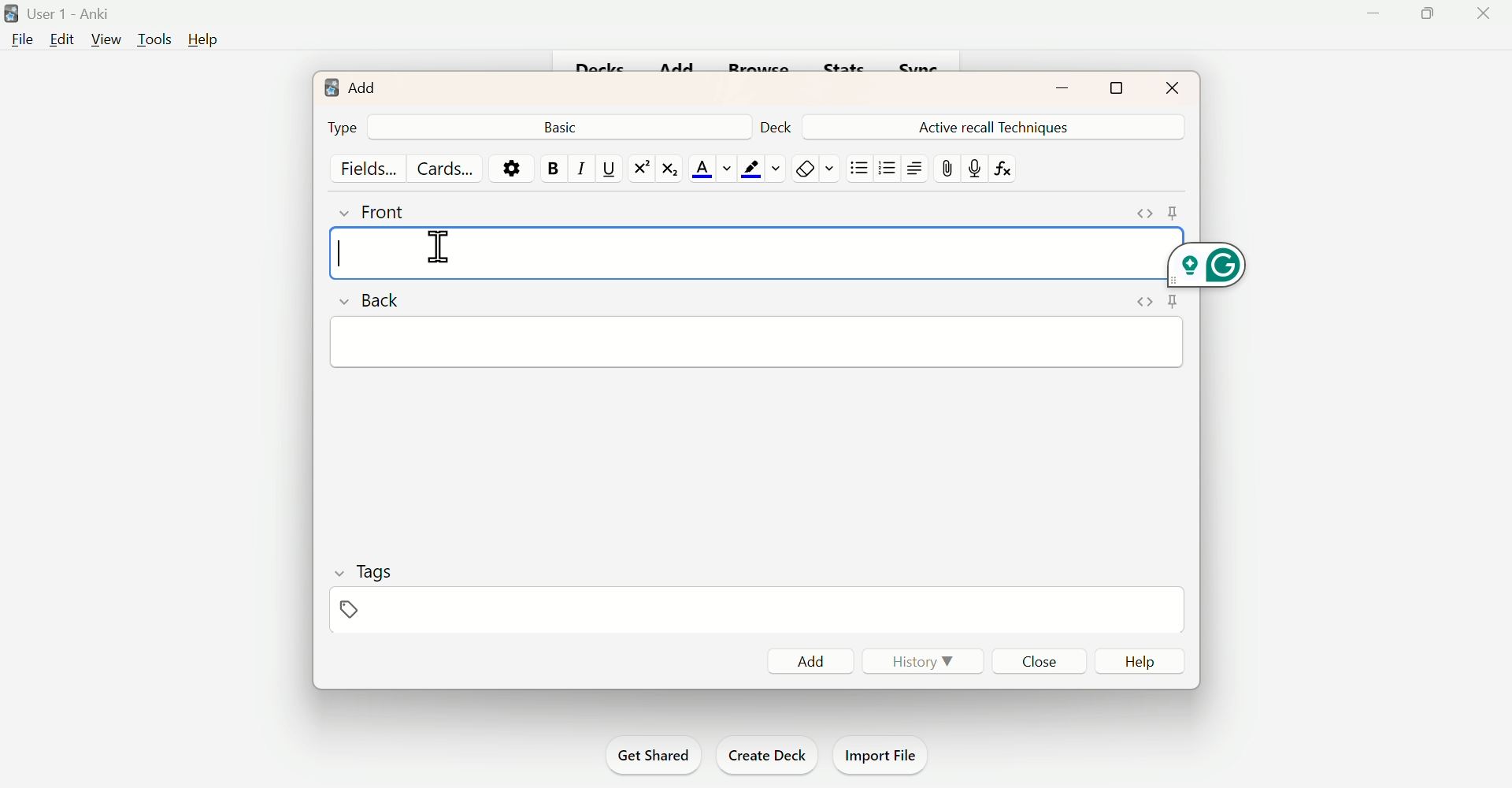 The width and height of the screenshot is (1512, 788). Describe the element at coordinates (576, 167) in the screenshot. I see `Italiac` at that location.